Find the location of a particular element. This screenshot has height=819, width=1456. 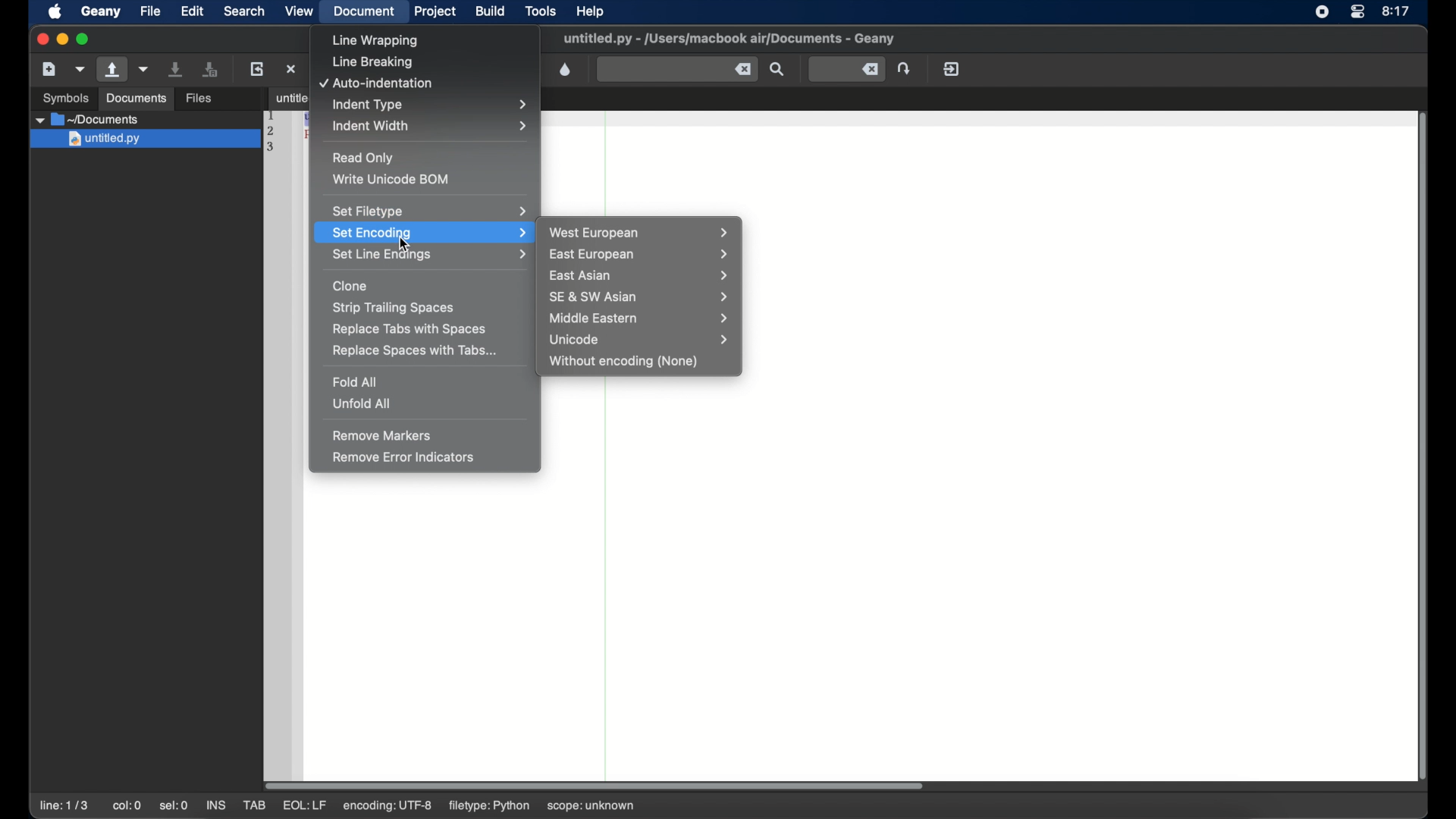

fold all is located at coordinates (356, 381).